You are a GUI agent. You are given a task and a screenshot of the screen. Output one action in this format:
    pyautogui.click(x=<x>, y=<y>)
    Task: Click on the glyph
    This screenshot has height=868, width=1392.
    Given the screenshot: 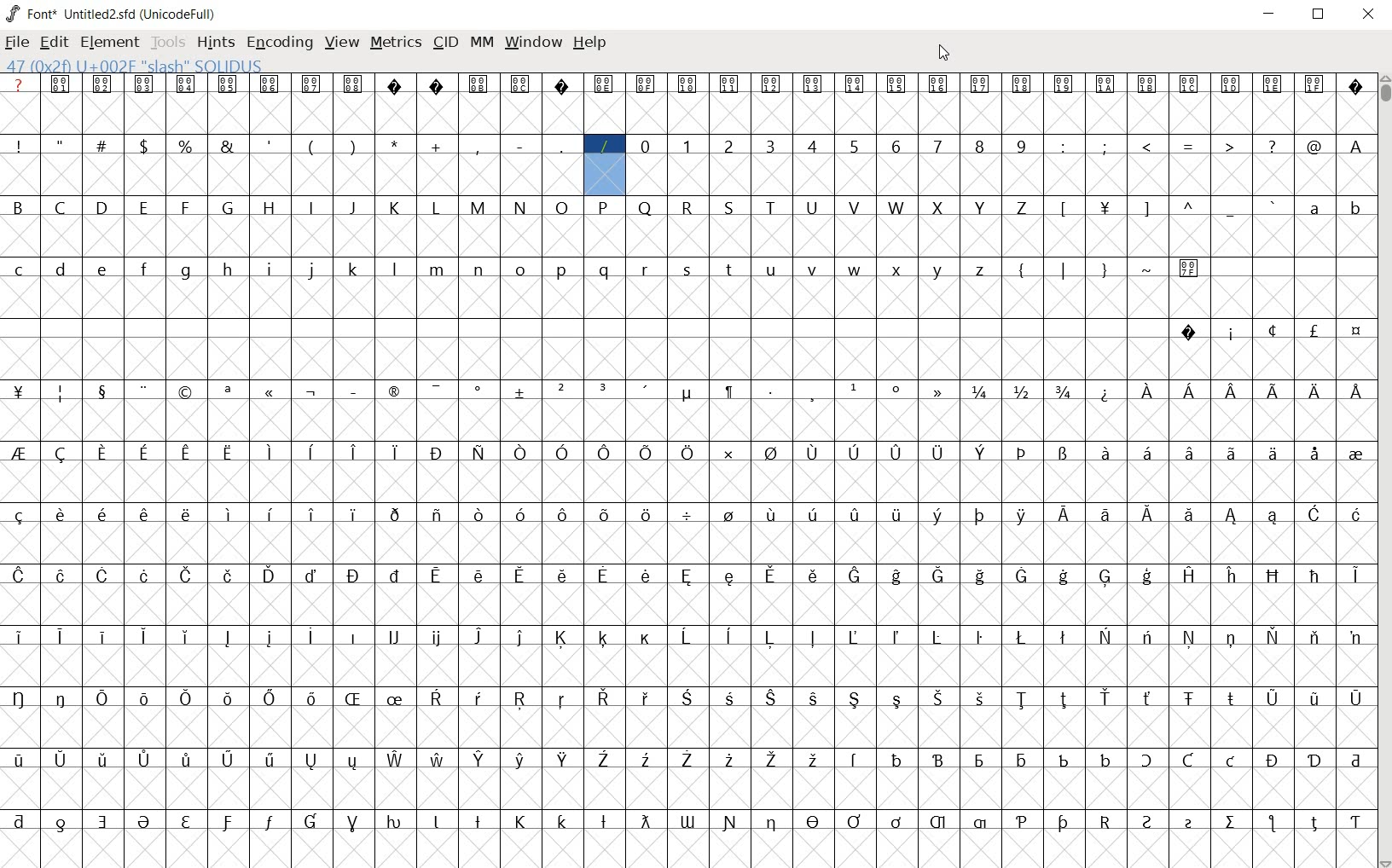 What is the action you would take?
    pyautogui.click(x=393, y=269)
    